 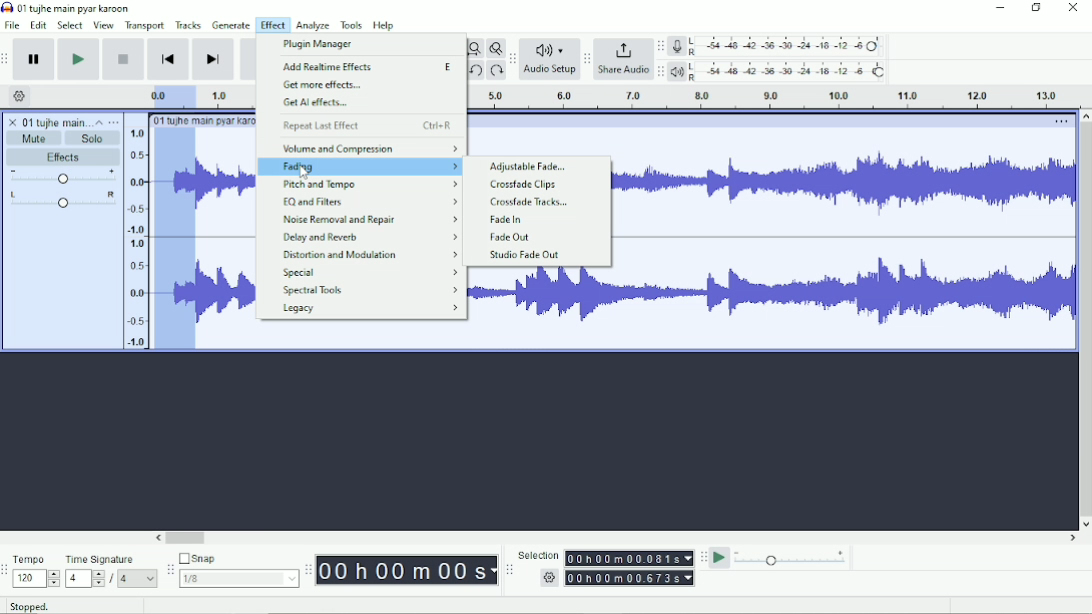 What do you see at coordinates (238, 559) in the screenshot?
I see `Snap` at bounding box center [238, 559].